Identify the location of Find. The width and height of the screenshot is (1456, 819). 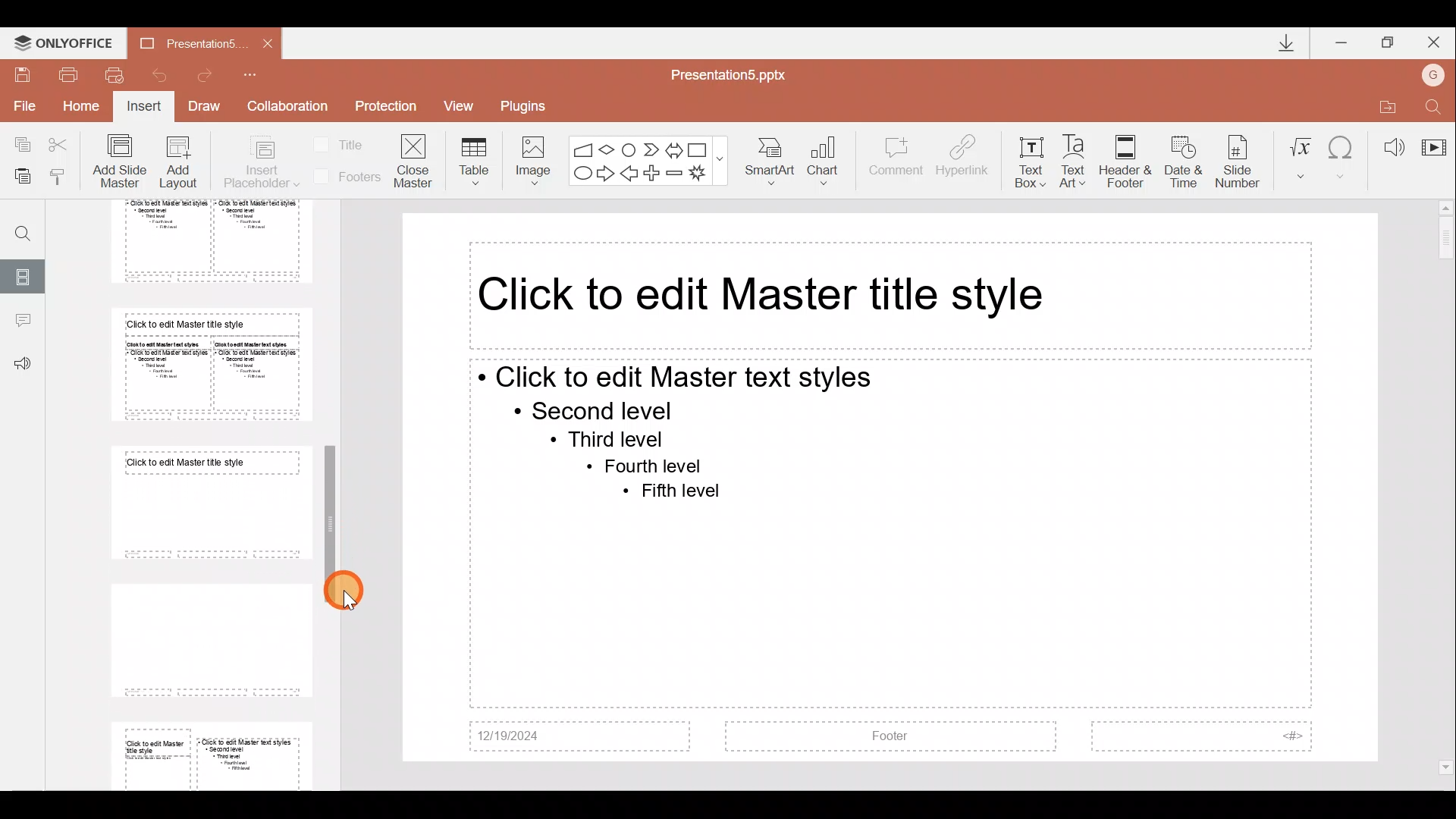
(1435, 104).